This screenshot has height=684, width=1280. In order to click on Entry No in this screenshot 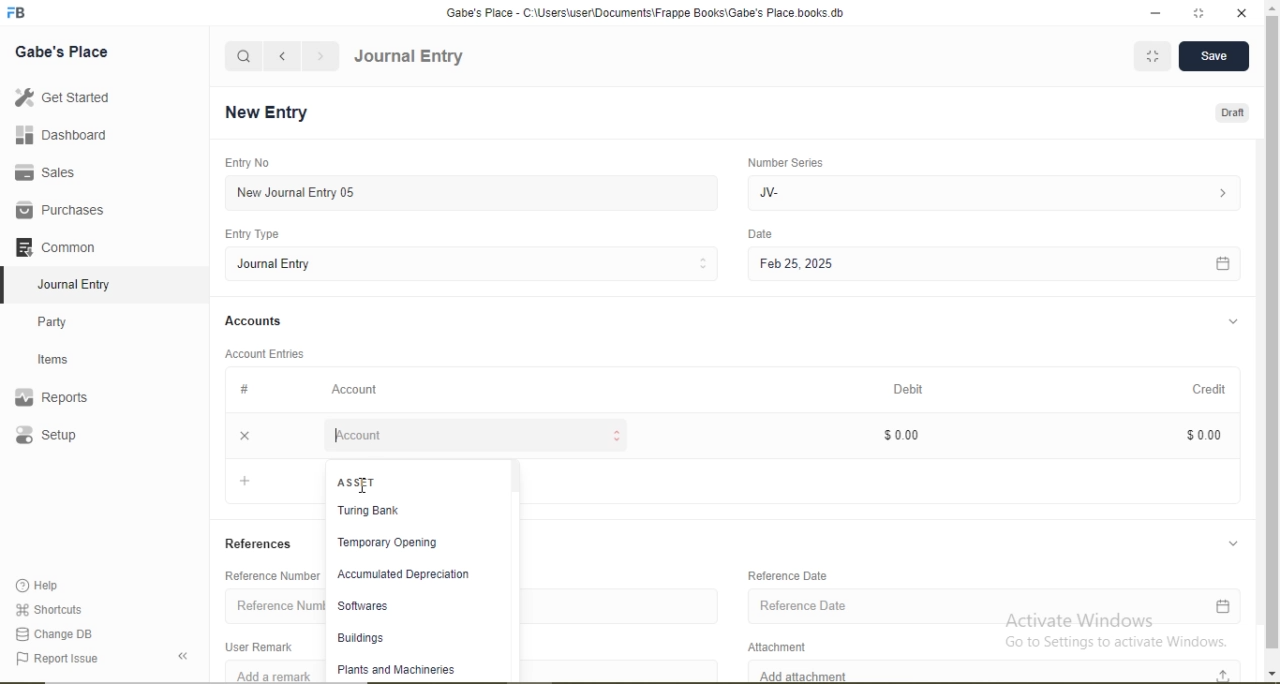, I will do `click(244, 162)`.